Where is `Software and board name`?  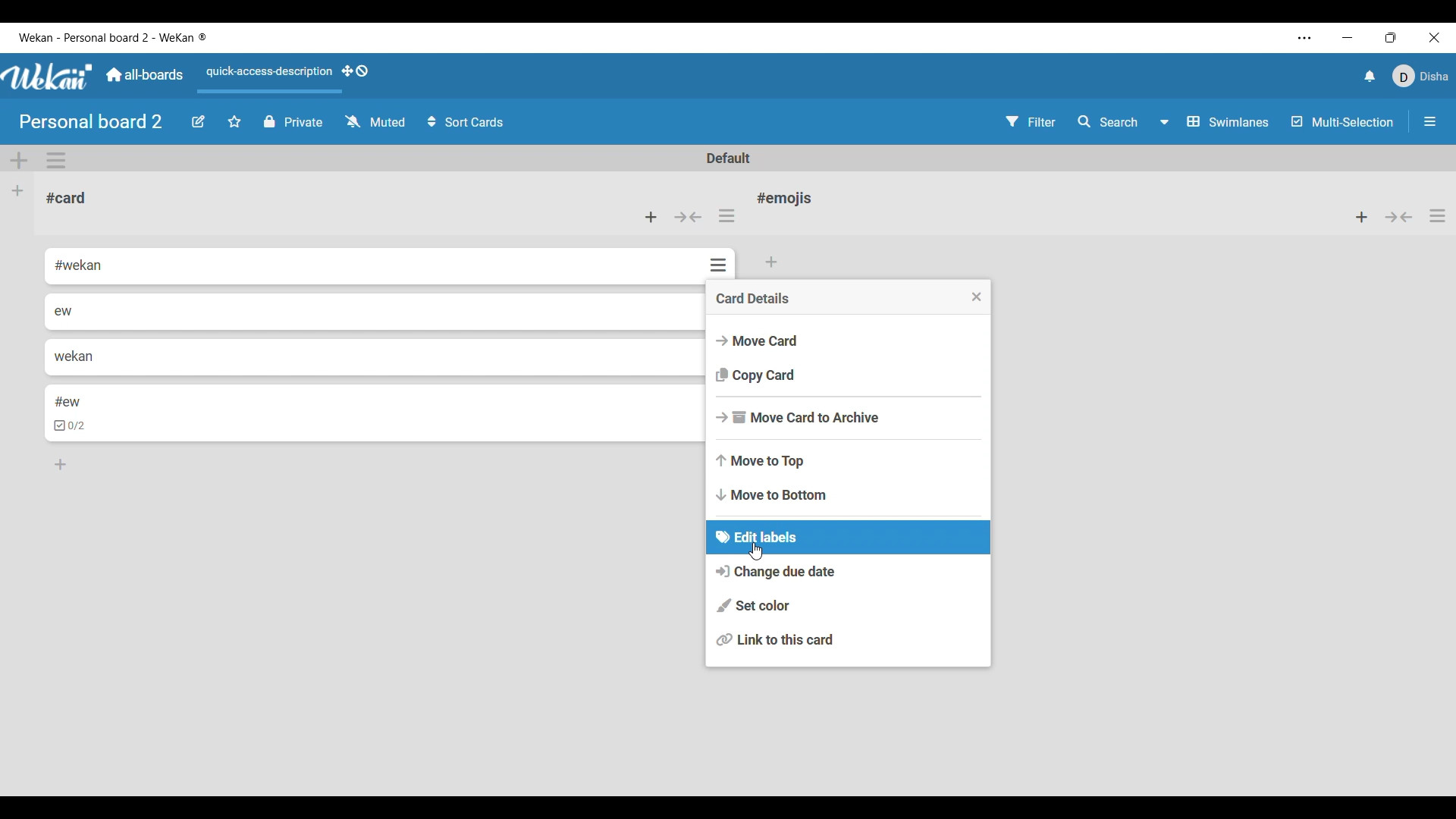 Software and board name is located at coordinates (111, 37).